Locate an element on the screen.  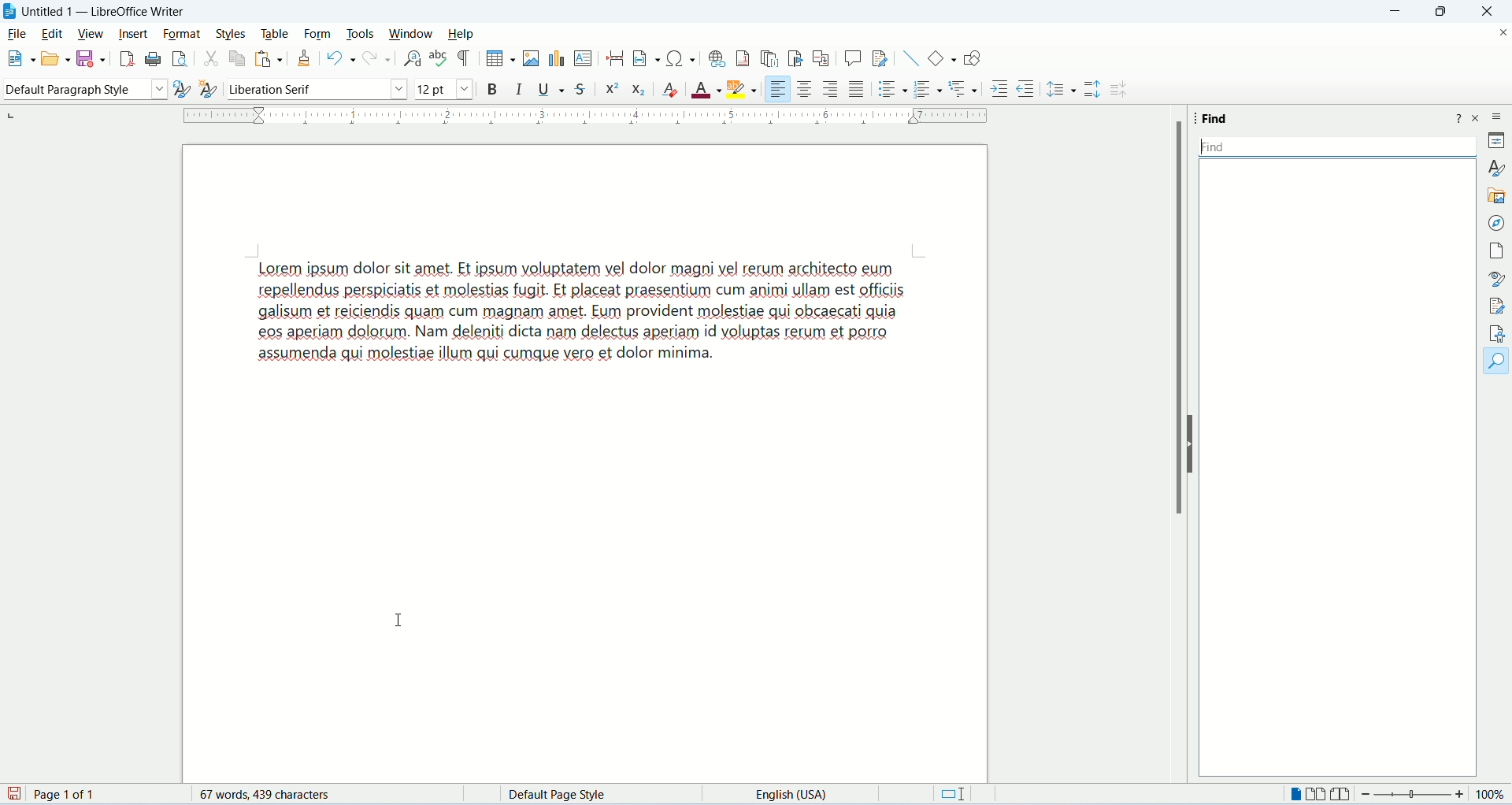
properties is located at coordinates (1496, 142).